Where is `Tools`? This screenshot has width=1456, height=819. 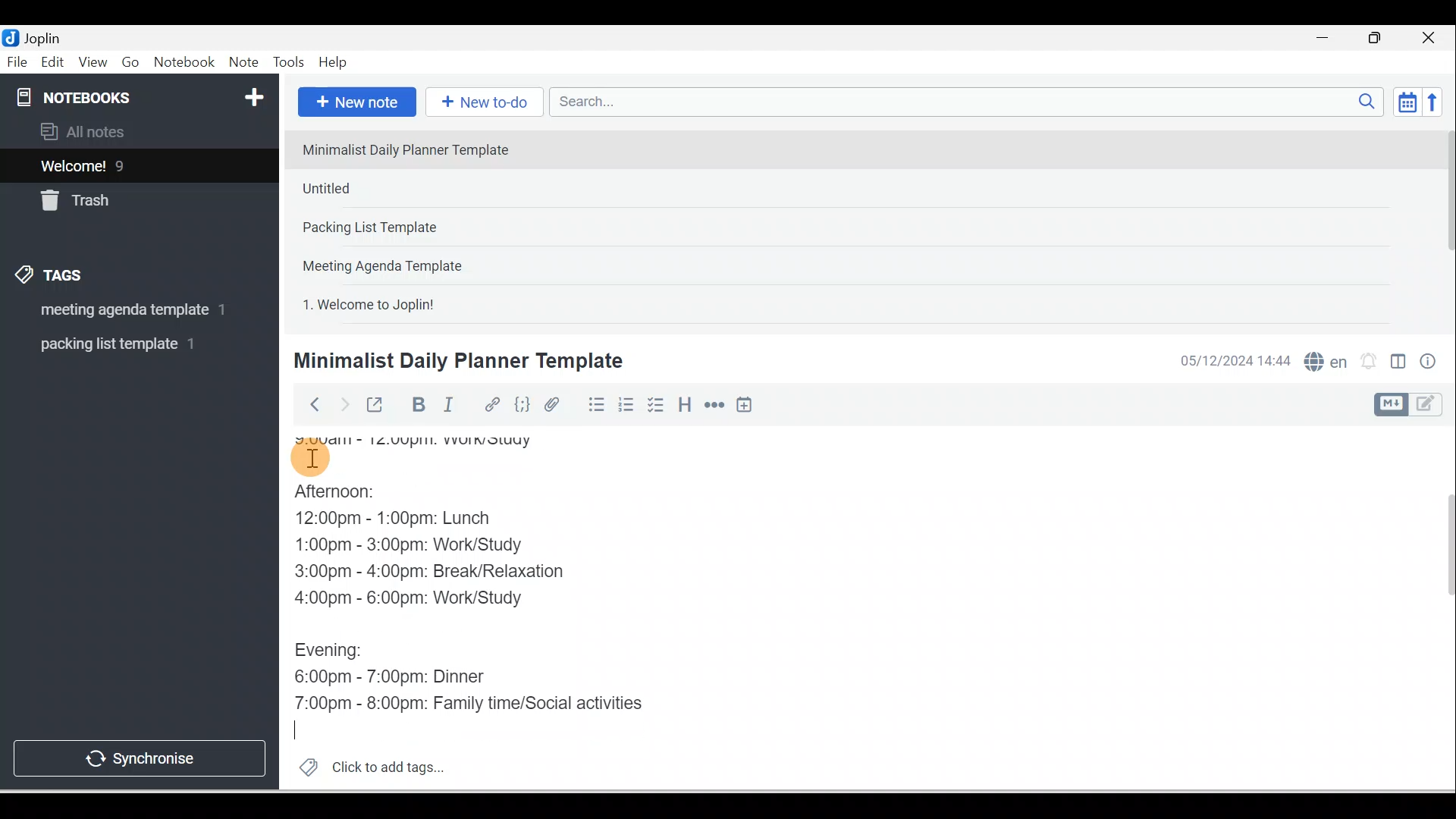 Tools is located at coordinates (288, 62).